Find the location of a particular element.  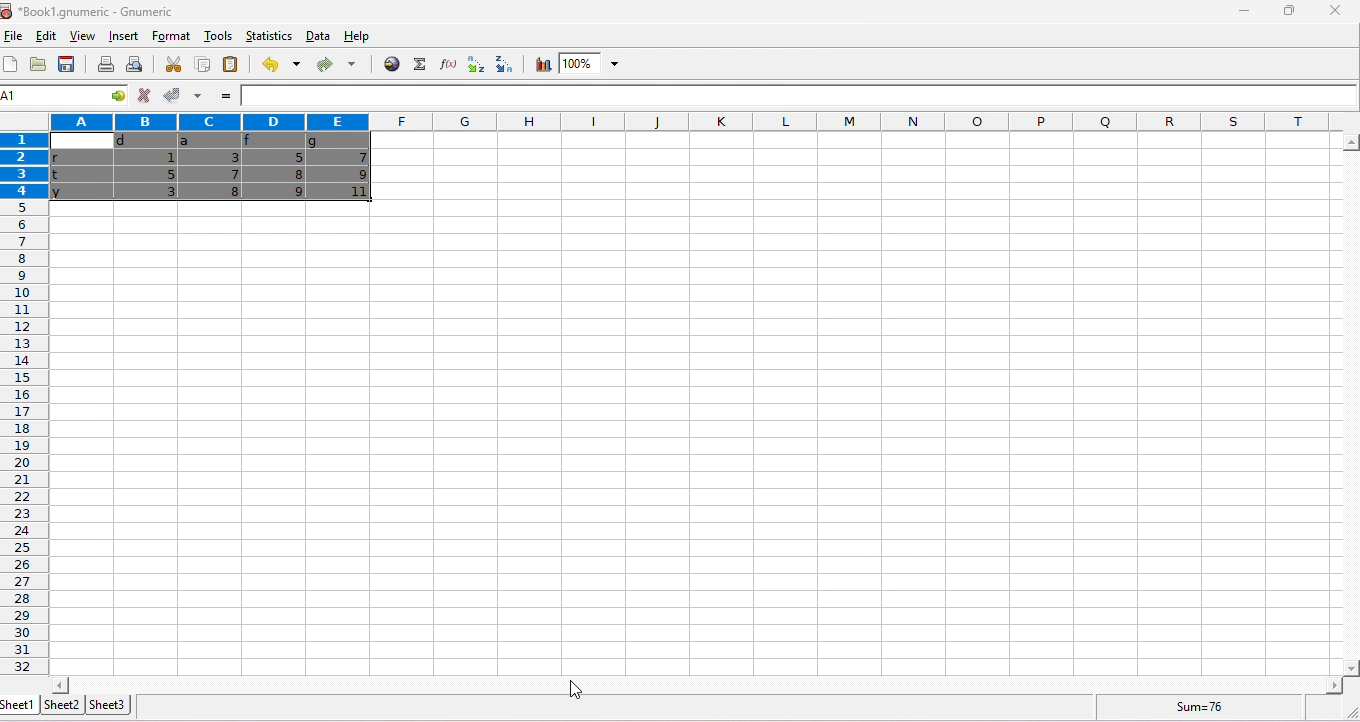

reject is located at coordinates (143, 96).